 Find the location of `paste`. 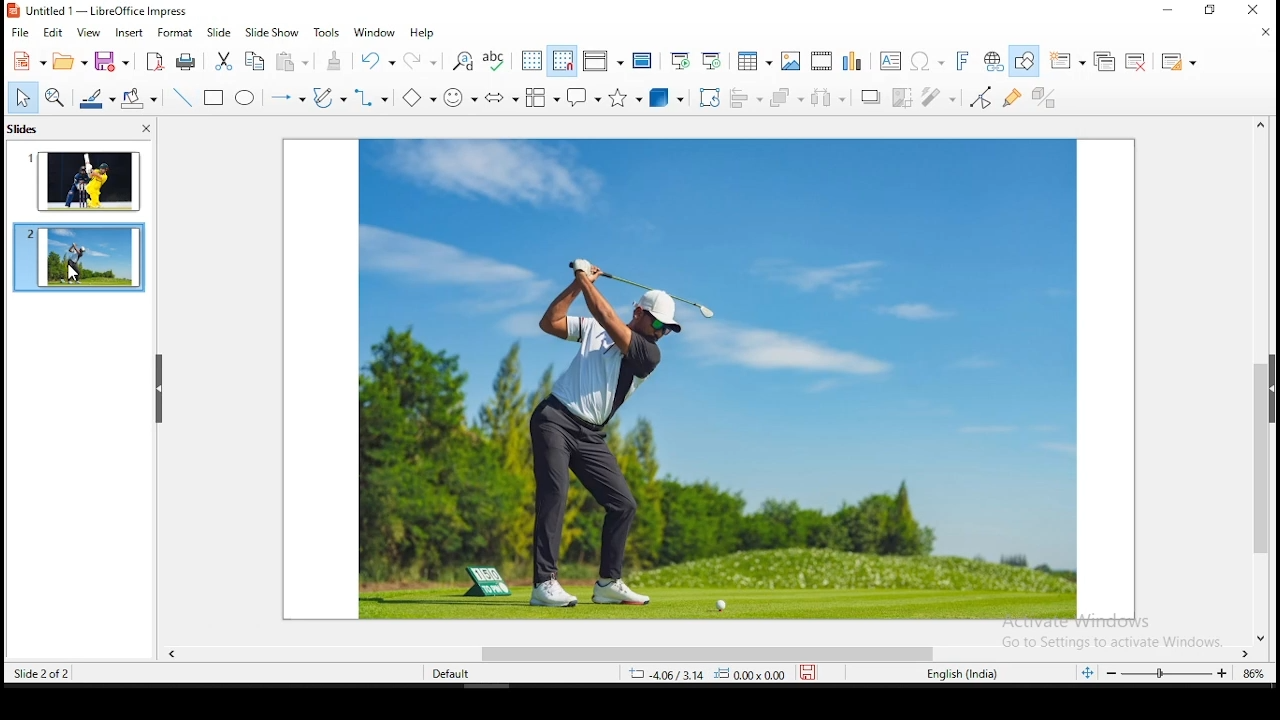

paste is located at coordinates (290, 62).